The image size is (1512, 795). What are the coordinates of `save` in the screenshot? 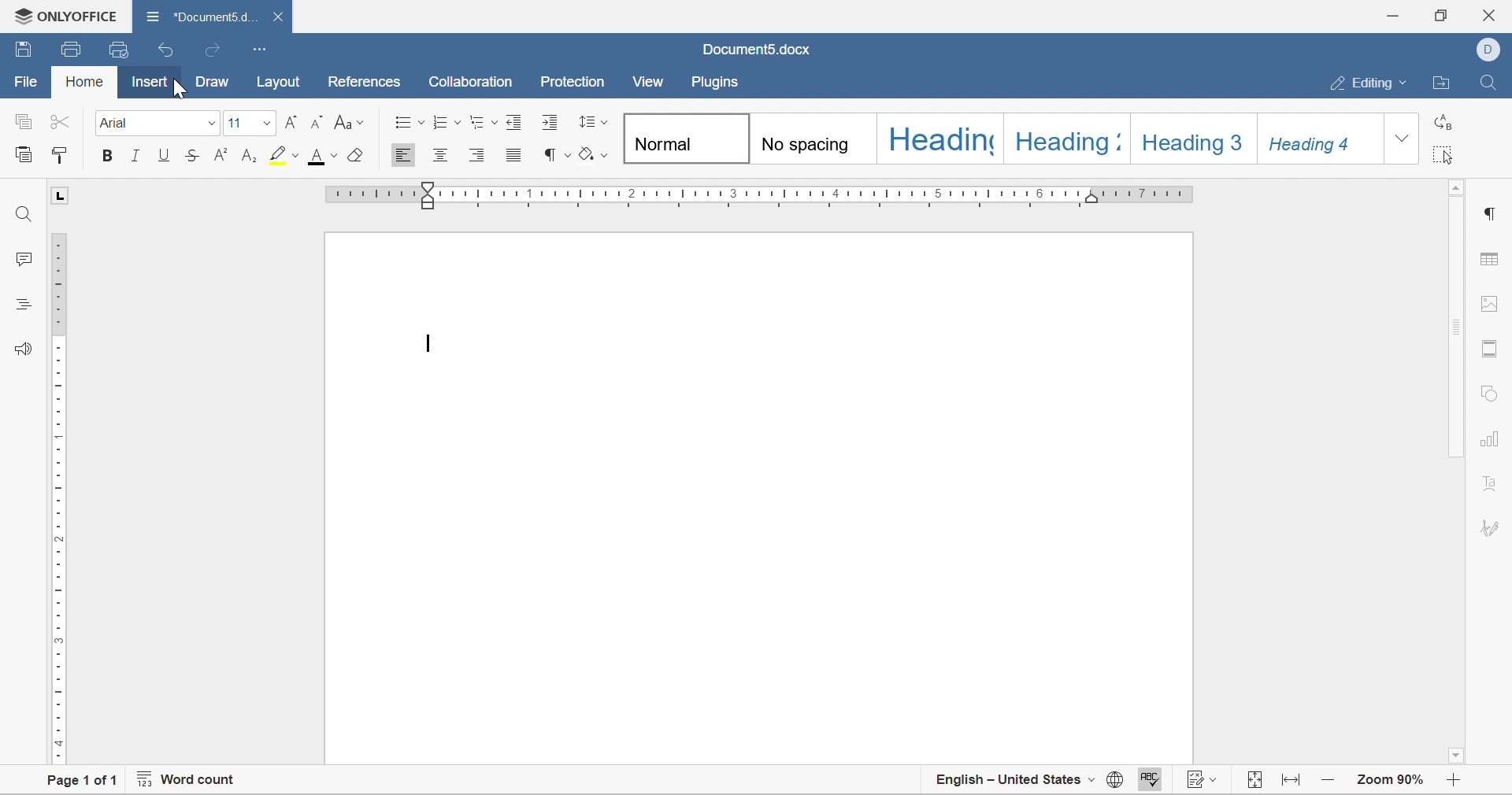 It's located at (72, 49).